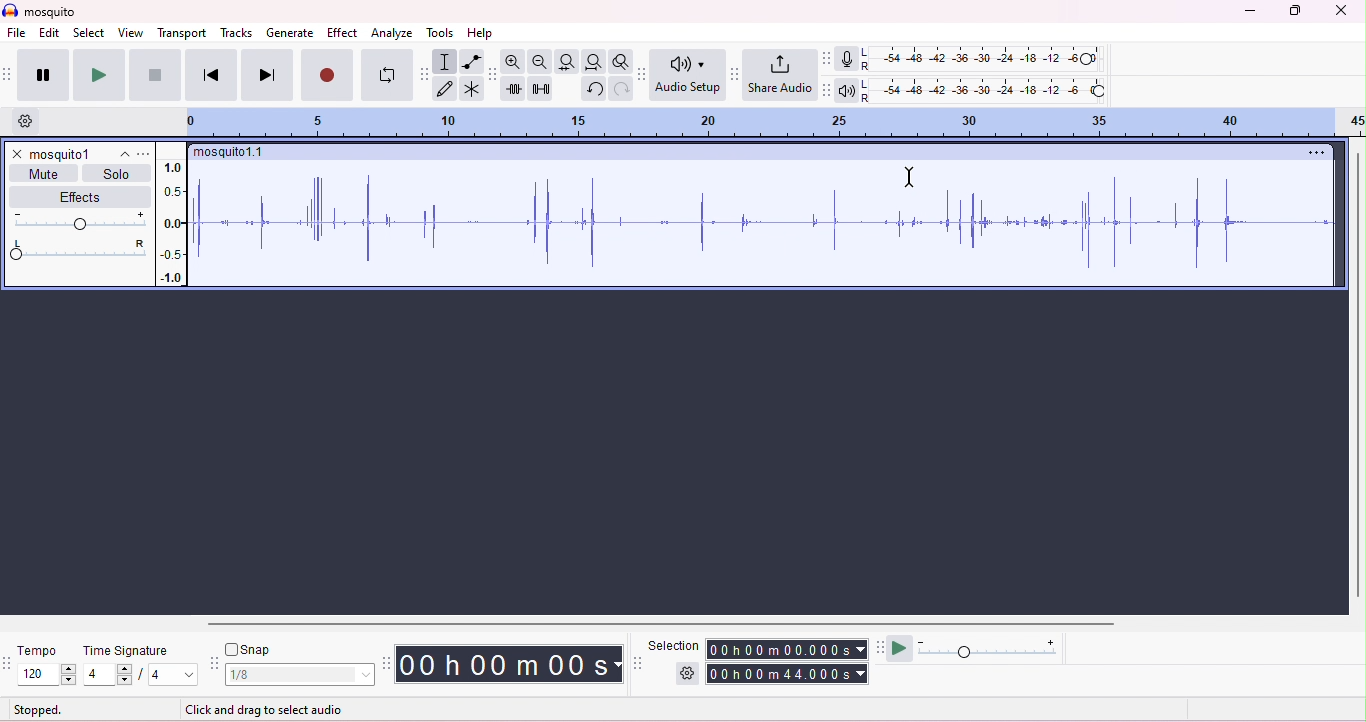 The width and height of the screenshot is (1366, 722). Describe the element at coordinates (1248, 12) in the screenshot. I see `minimize` at that location.